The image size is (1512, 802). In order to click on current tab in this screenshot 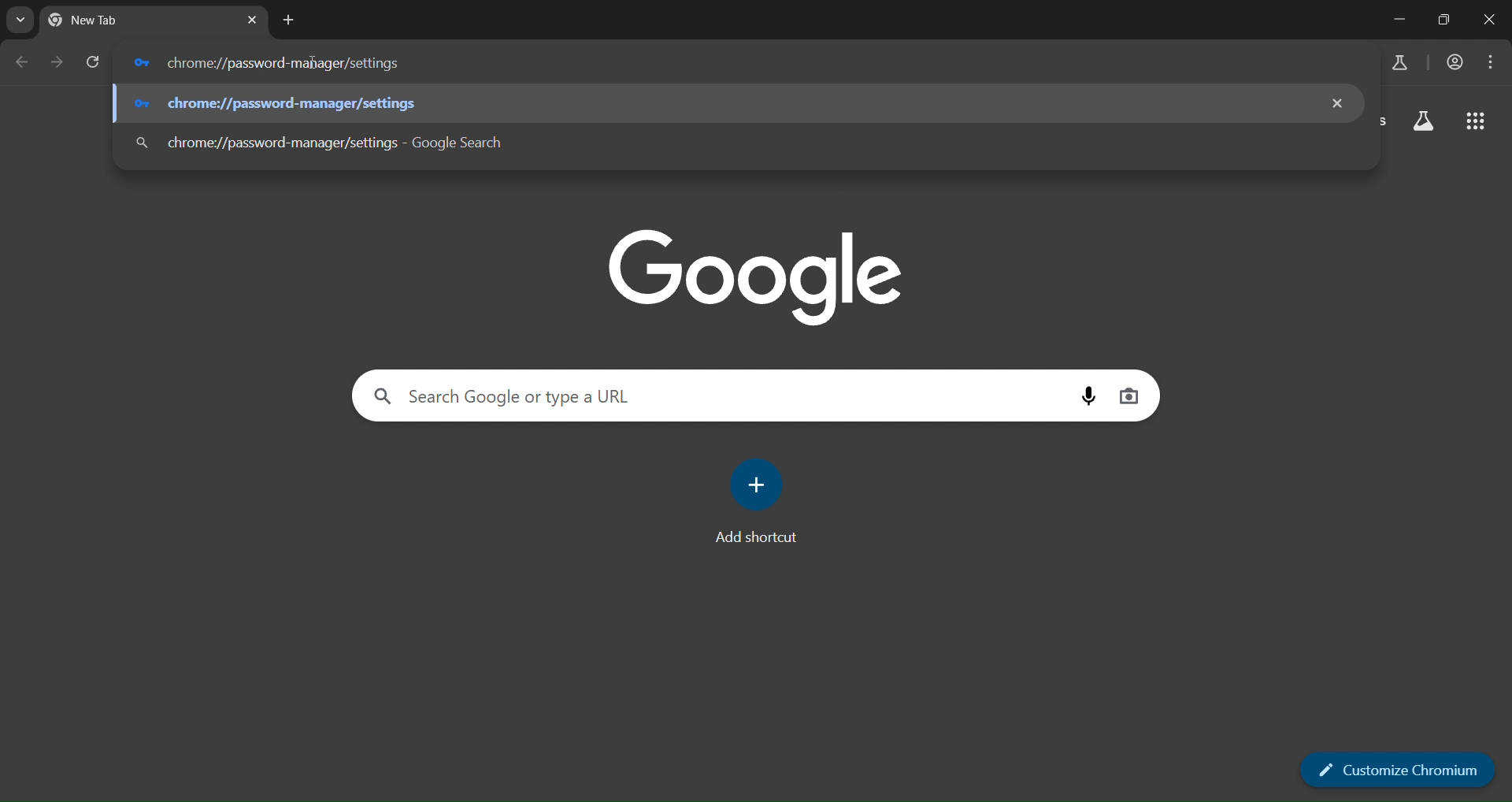, I will do `click(130, 22)`.